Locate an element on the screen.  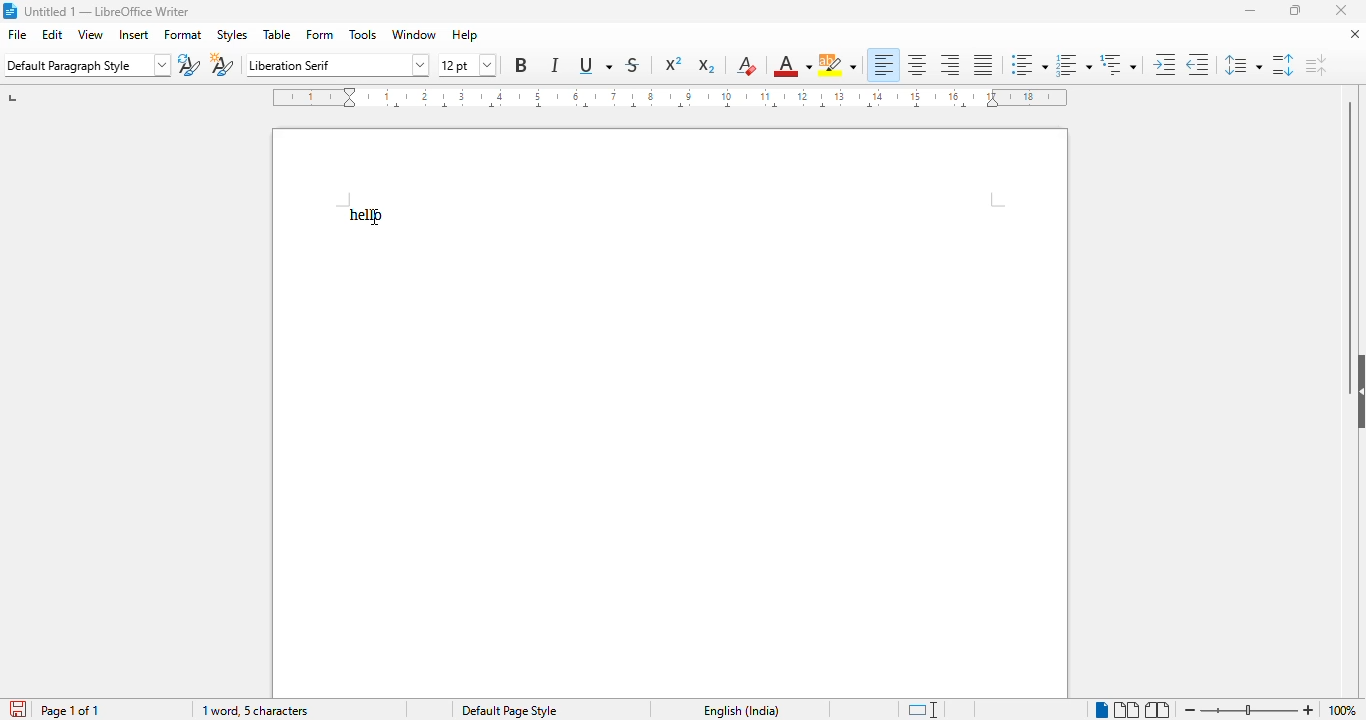
book view is located at coordinates (1158, 709).